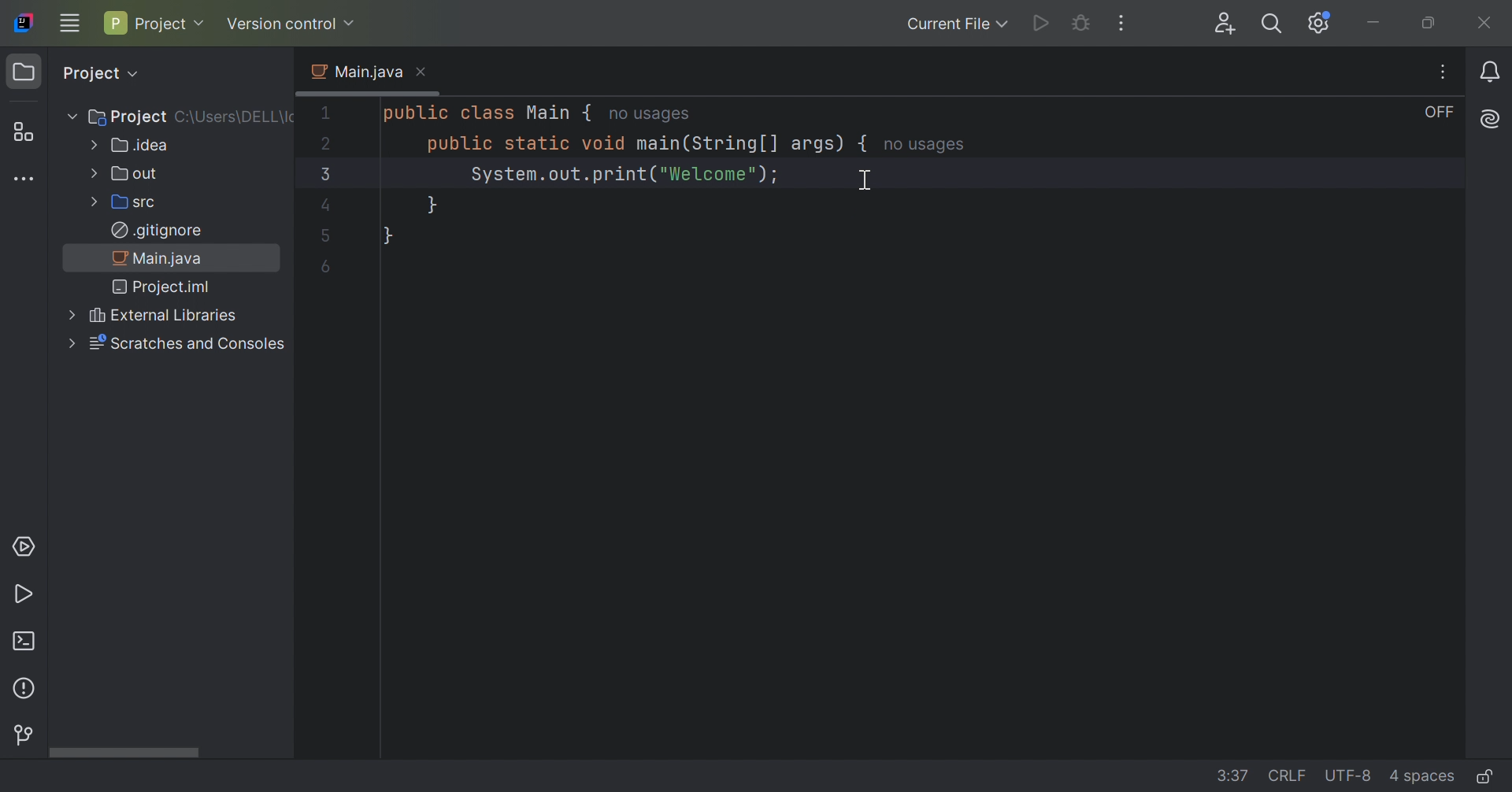  Describe the element at coordinates (1318, 25) in the screenshot. I see `Updates available. IDE and Project Settings.` at that location.